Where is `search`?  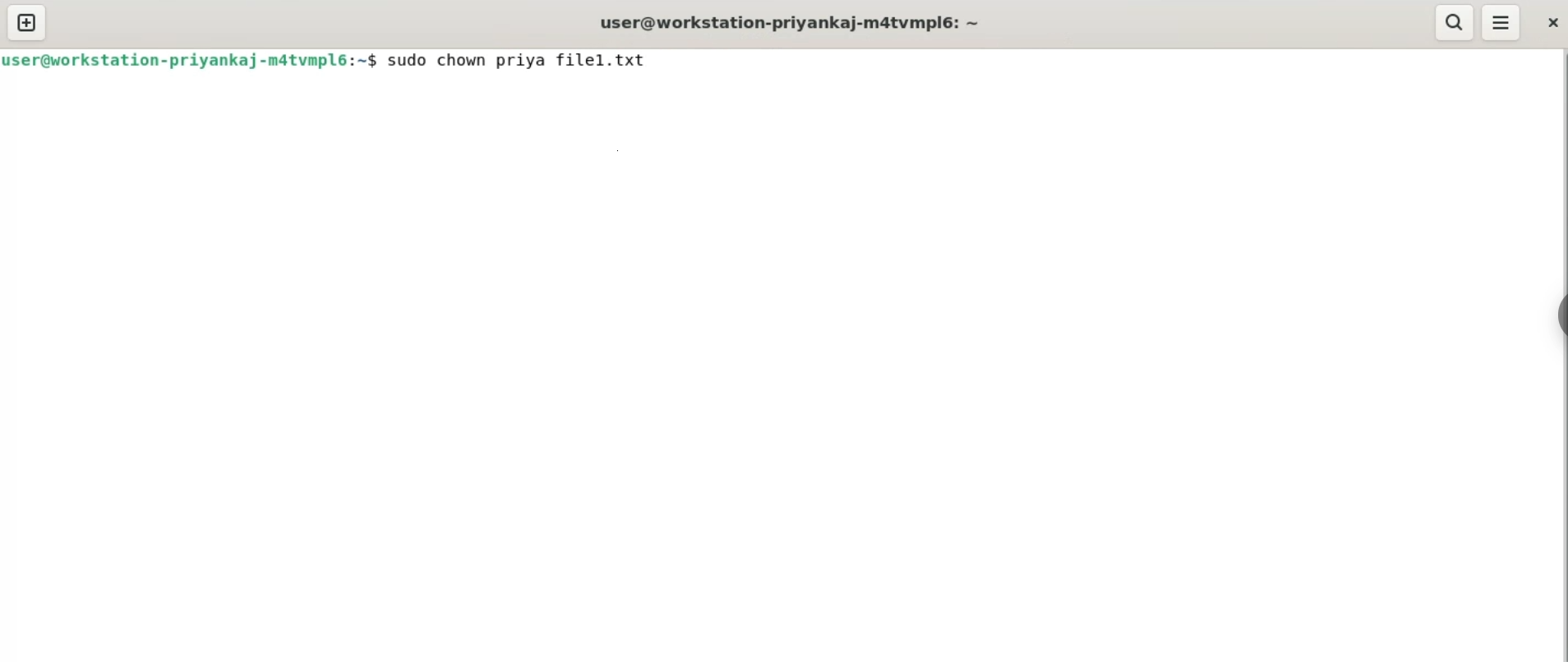
search is located at coordinates (1456, 23).